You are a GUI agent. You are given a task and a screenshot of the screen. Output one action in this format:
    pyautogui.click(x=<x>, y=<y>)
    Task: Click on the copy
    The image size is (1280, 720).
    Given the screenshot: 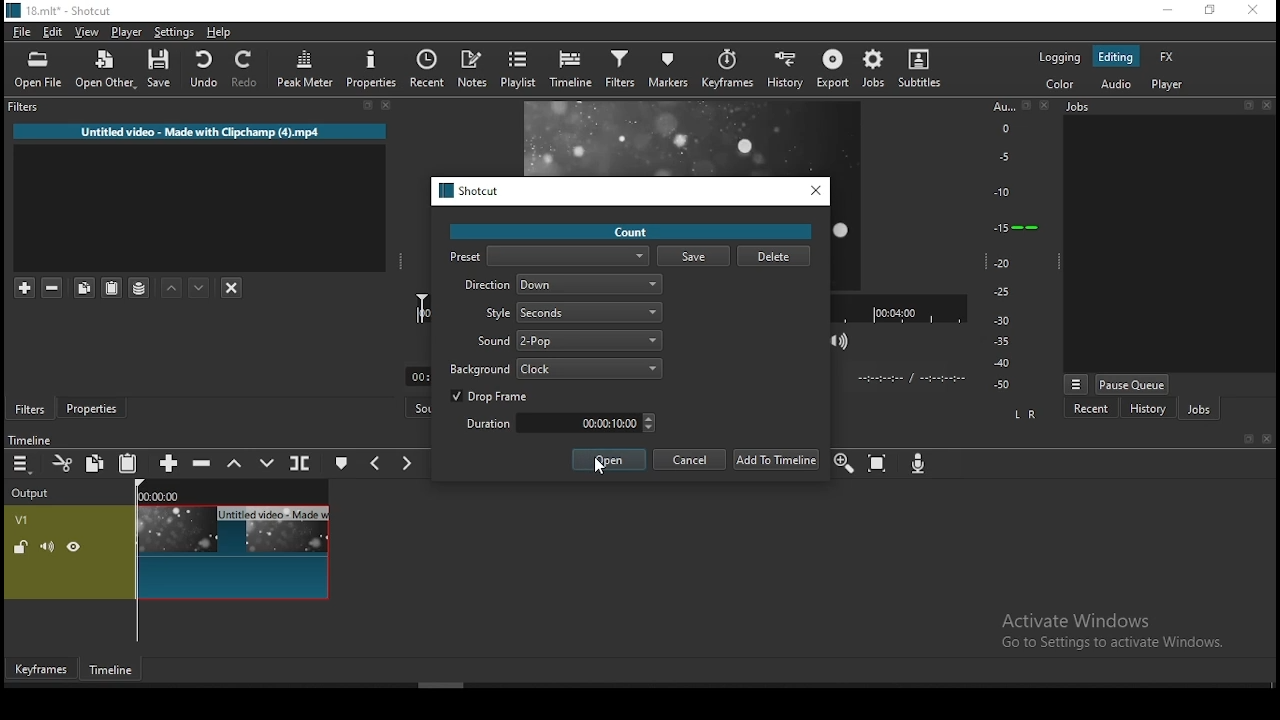 What is the action you would take?
    pyautogui.click(x=99, y=465)
    